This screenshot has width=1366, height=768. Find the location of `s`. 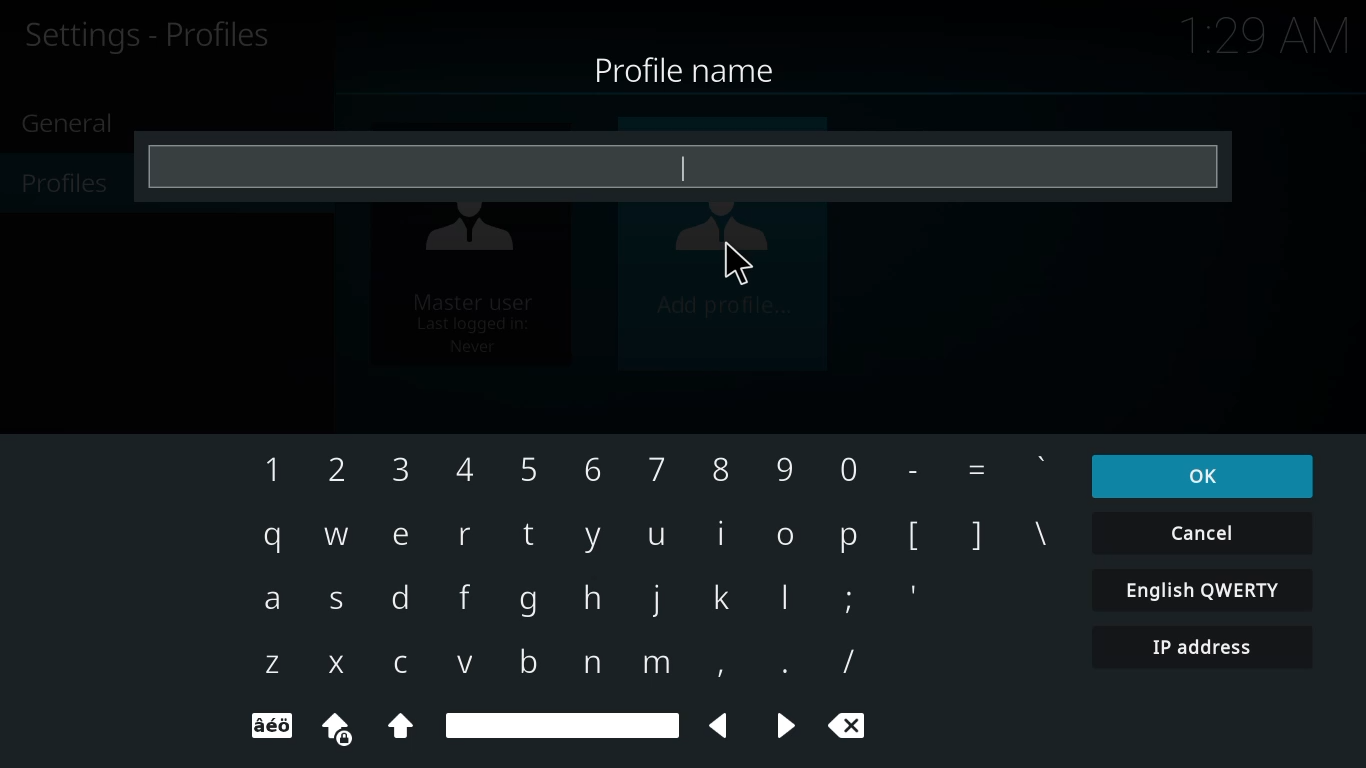

s is located at coordinates (336, 599).